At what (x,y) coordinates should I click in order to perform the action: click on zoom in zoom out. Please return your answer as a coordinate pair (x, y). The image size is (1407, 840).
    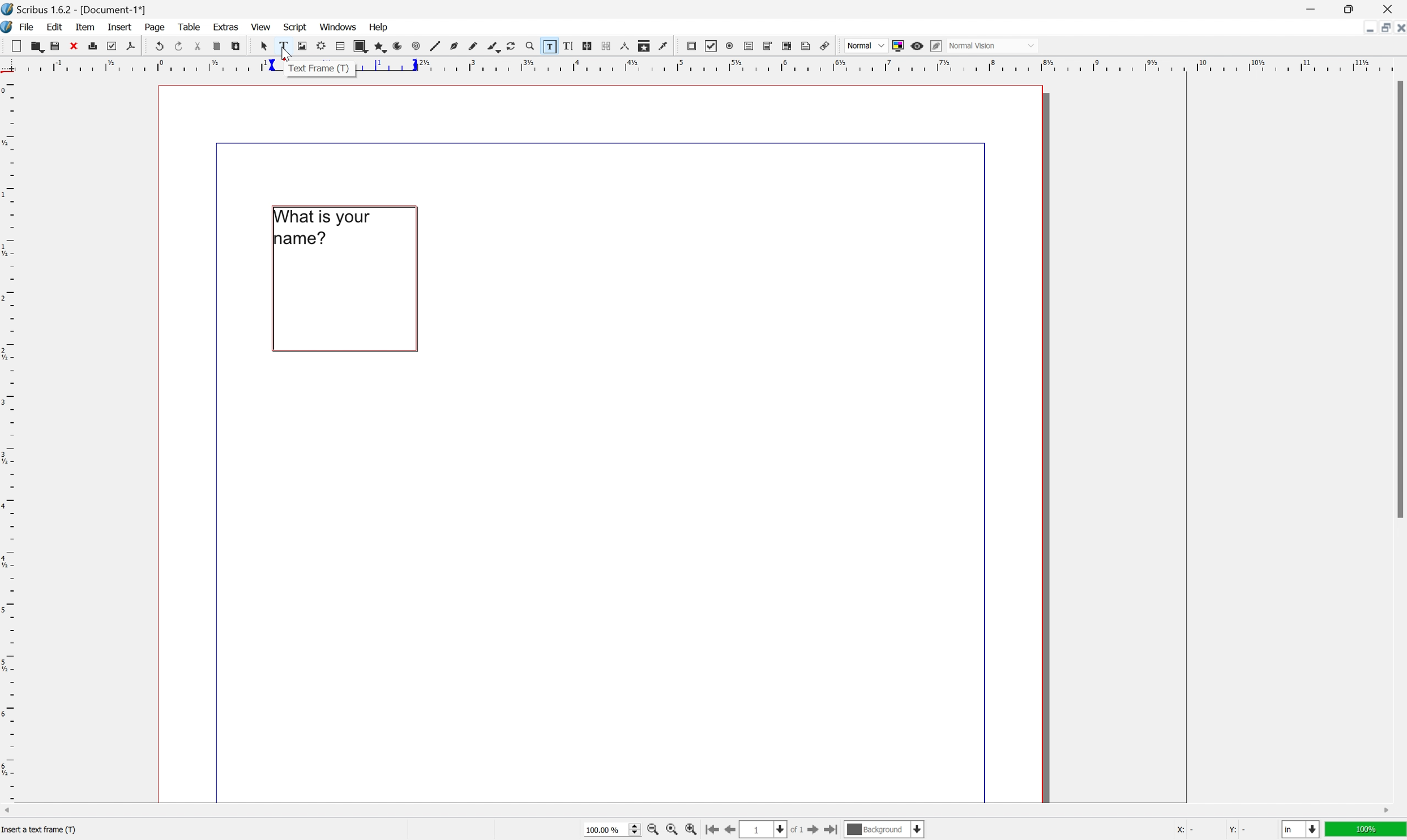
    Looking at the image, I should click on (529, 46).